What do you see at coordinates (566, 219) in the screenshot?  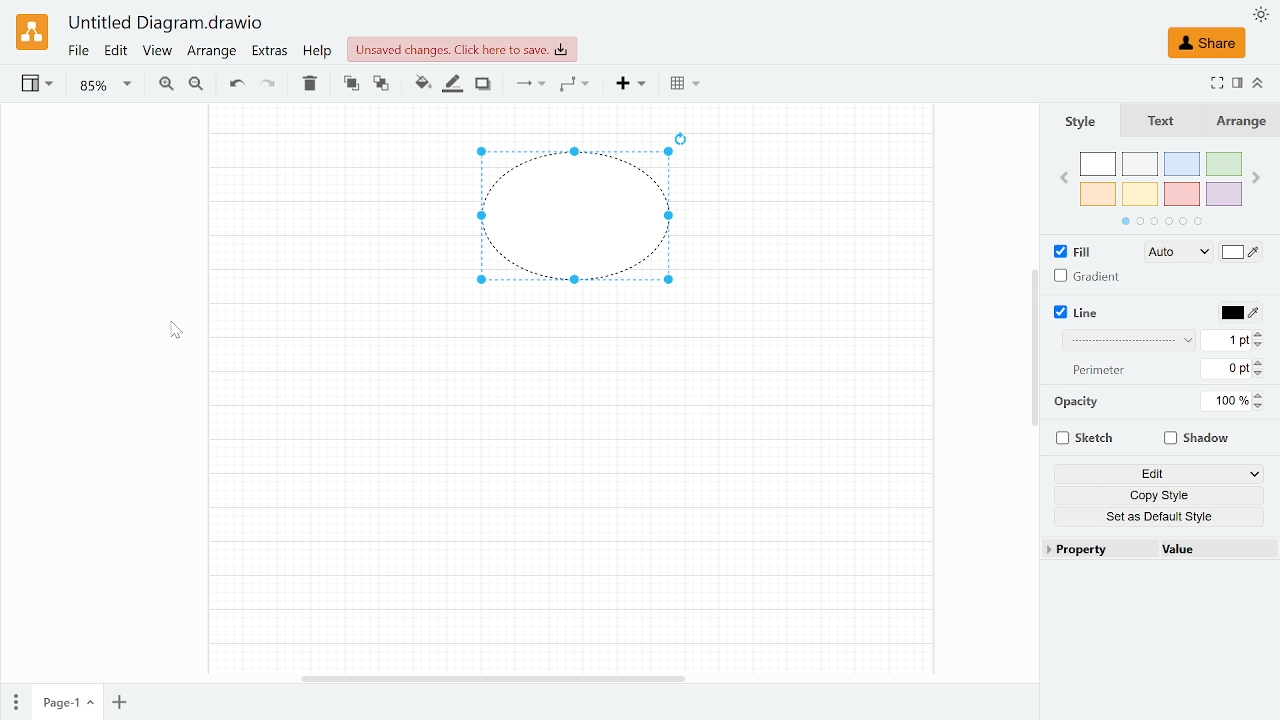 I see `Current selected shape` at bounding box center [566, 219].